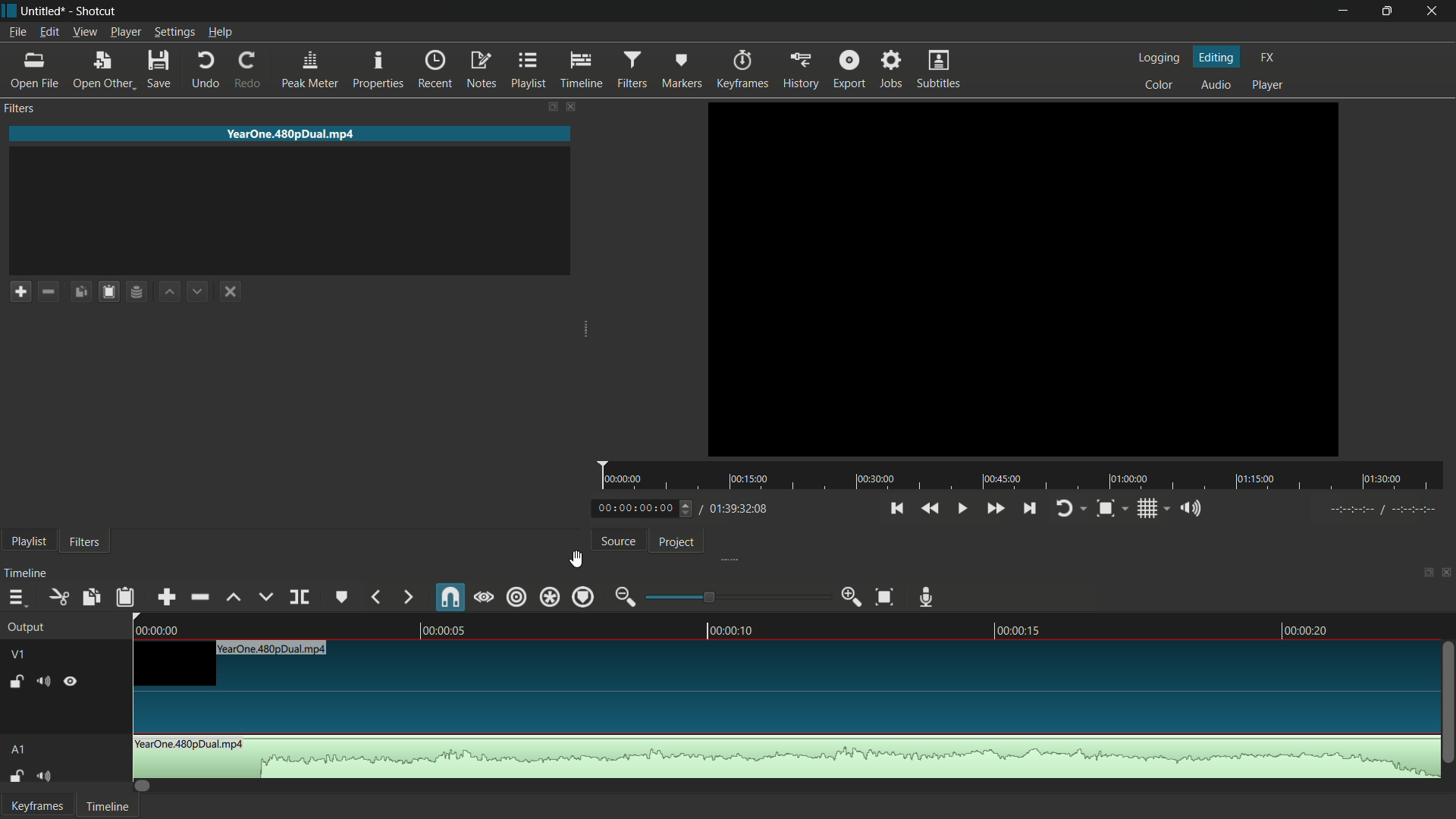 This screenshot has width=1456, height=819. What do you see at coordinates (376, 597) in the screenshot?
I see `previous marker` at bounding box center [376, 597].